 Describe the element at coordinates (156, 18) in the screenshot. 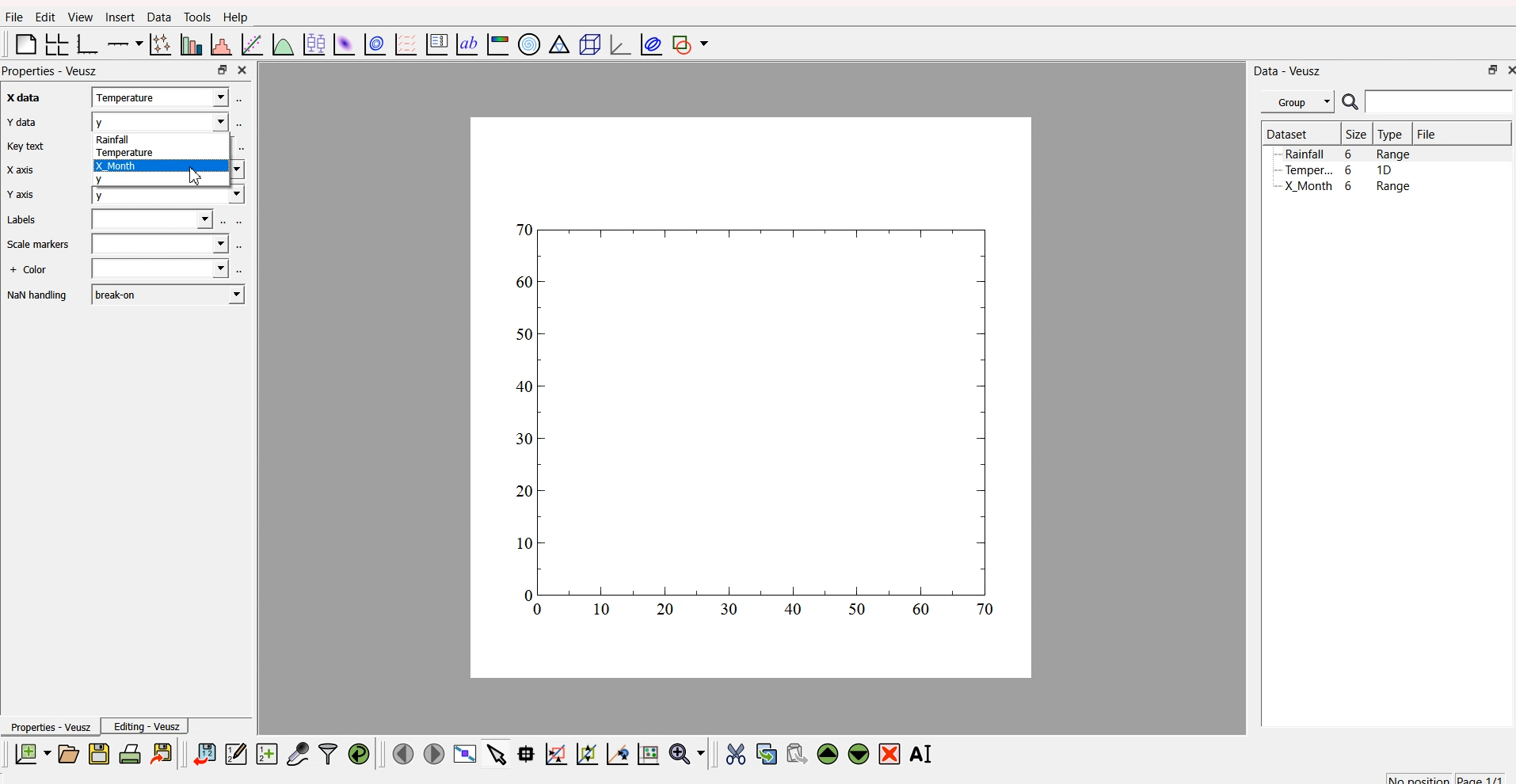

I see `Data` at that location.